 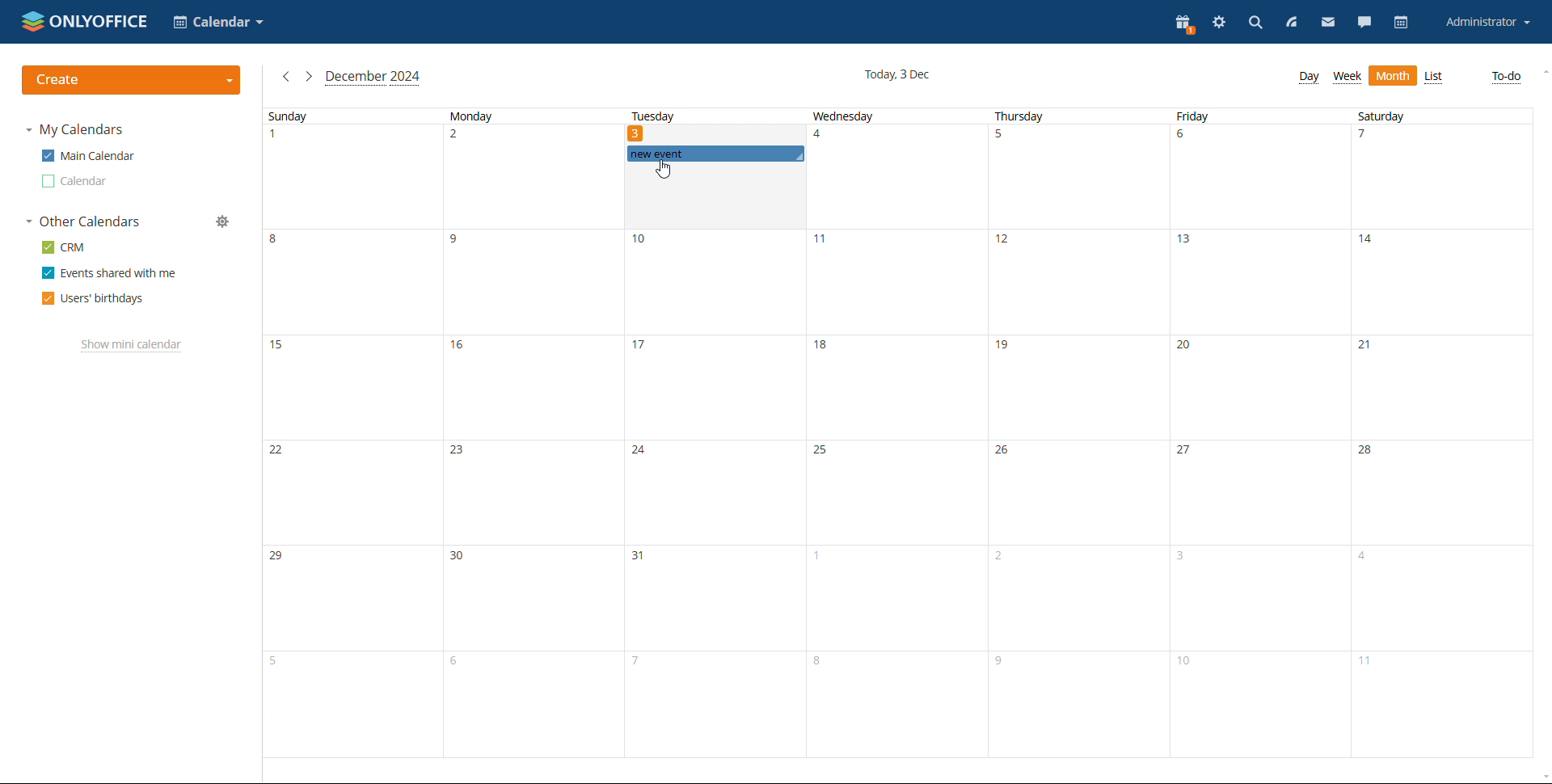 I want to click on my calendars, so click(x=75, y=130).